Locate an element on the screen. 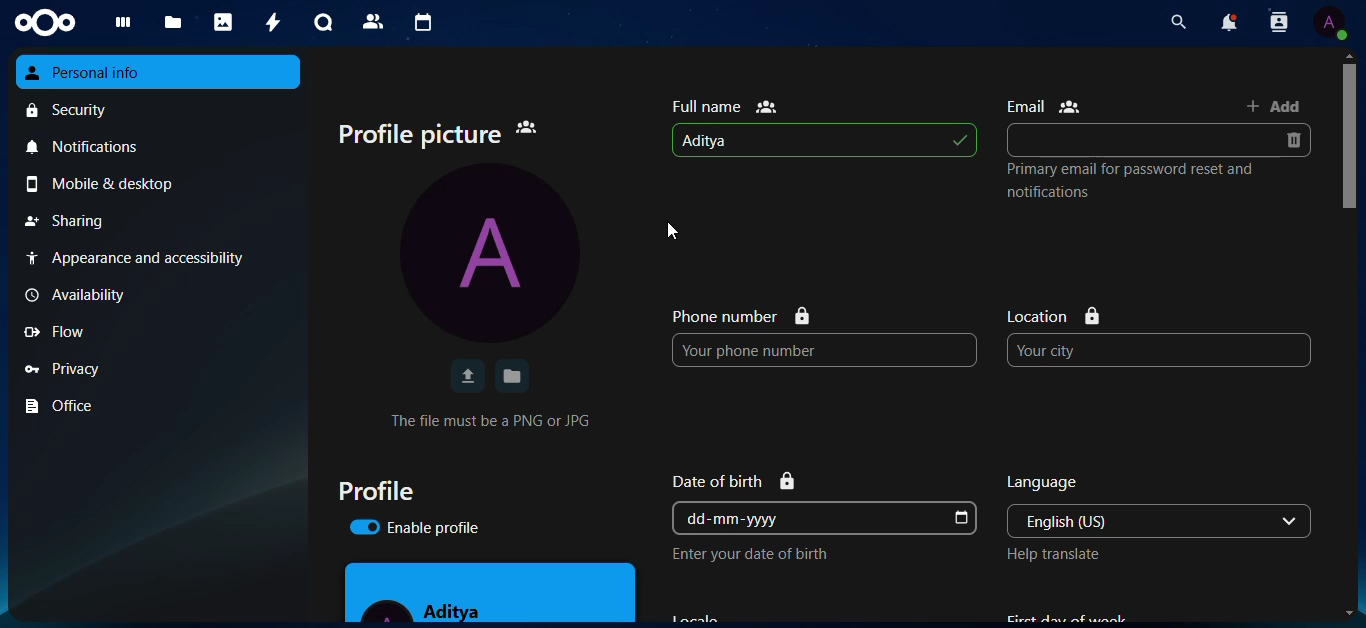 The height and width of the screenshot is (628, 1366). profile preview changed is located at coordinates (491, 592).